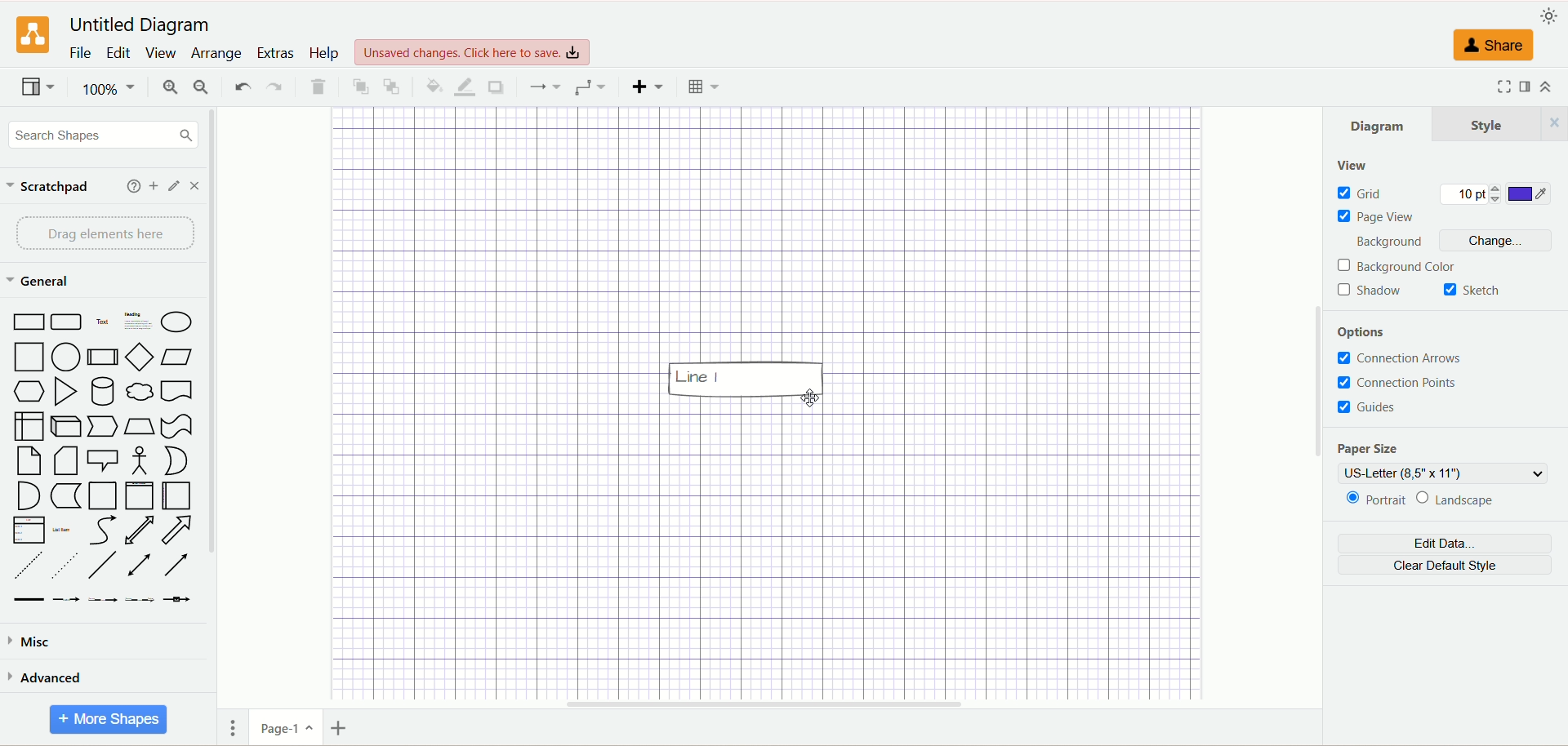 The width and height of the screenshot is (1568, 746). What do you see at coordinates (176, 495) in the screenshot?
I see `Horizantal Container` at bounding box center [176, 495].